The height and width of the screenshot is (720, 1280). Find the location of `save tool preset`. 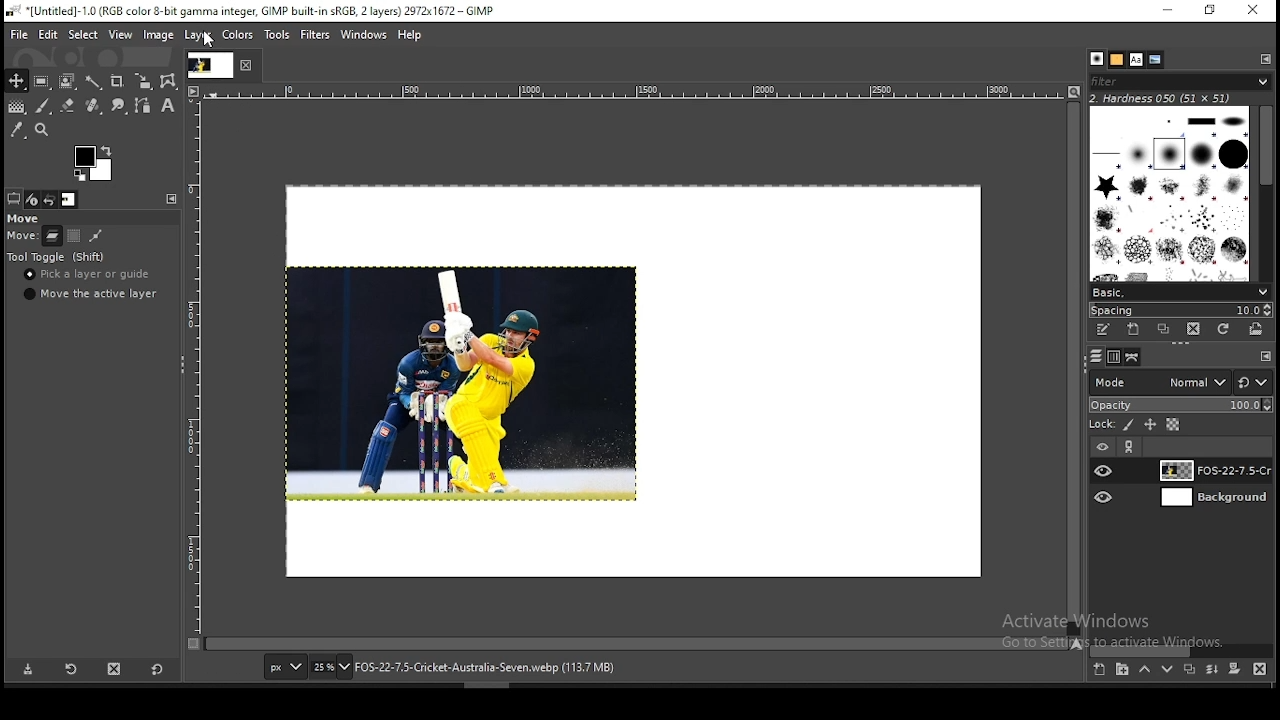

save tool preset is located at coordinates (29, 670).